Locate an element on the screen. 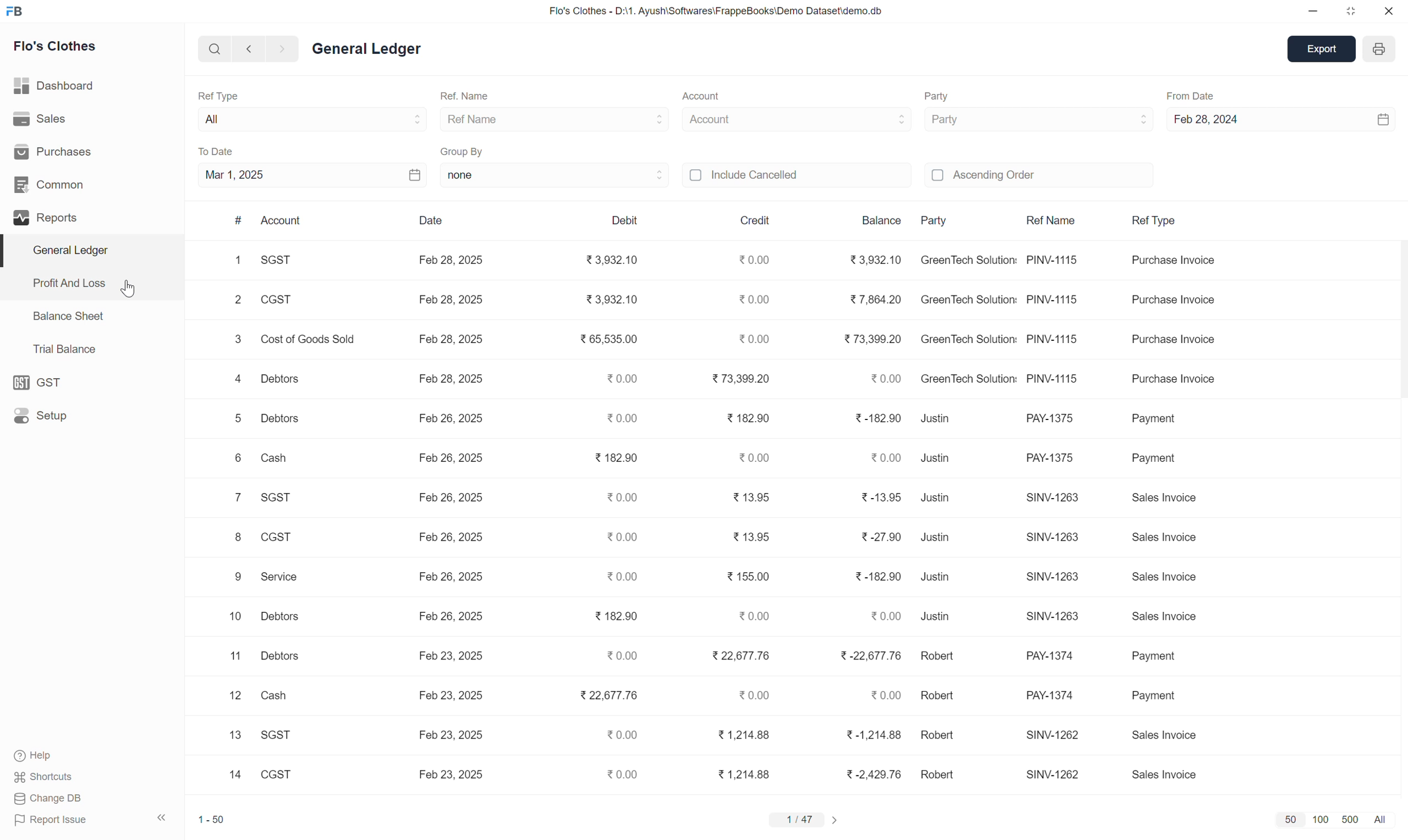 The width and height of the screenshot is (1408, 840). 1-50 is located at coordinates (217, 817).